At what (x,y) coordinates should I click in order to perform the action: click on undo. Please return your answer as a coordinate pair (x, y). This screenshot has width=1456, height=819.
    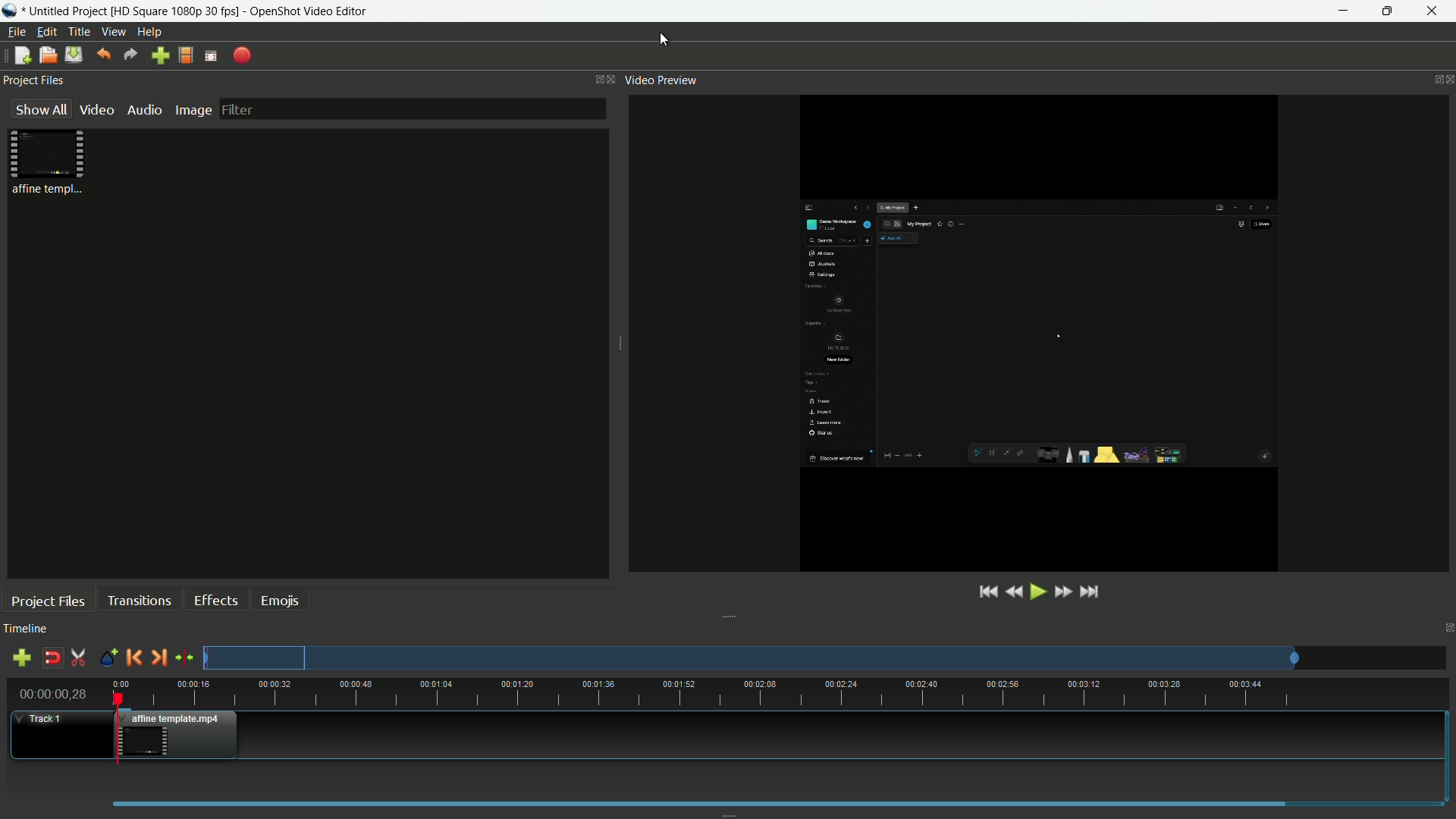
    Looking at the image, I should click on (102, 55).